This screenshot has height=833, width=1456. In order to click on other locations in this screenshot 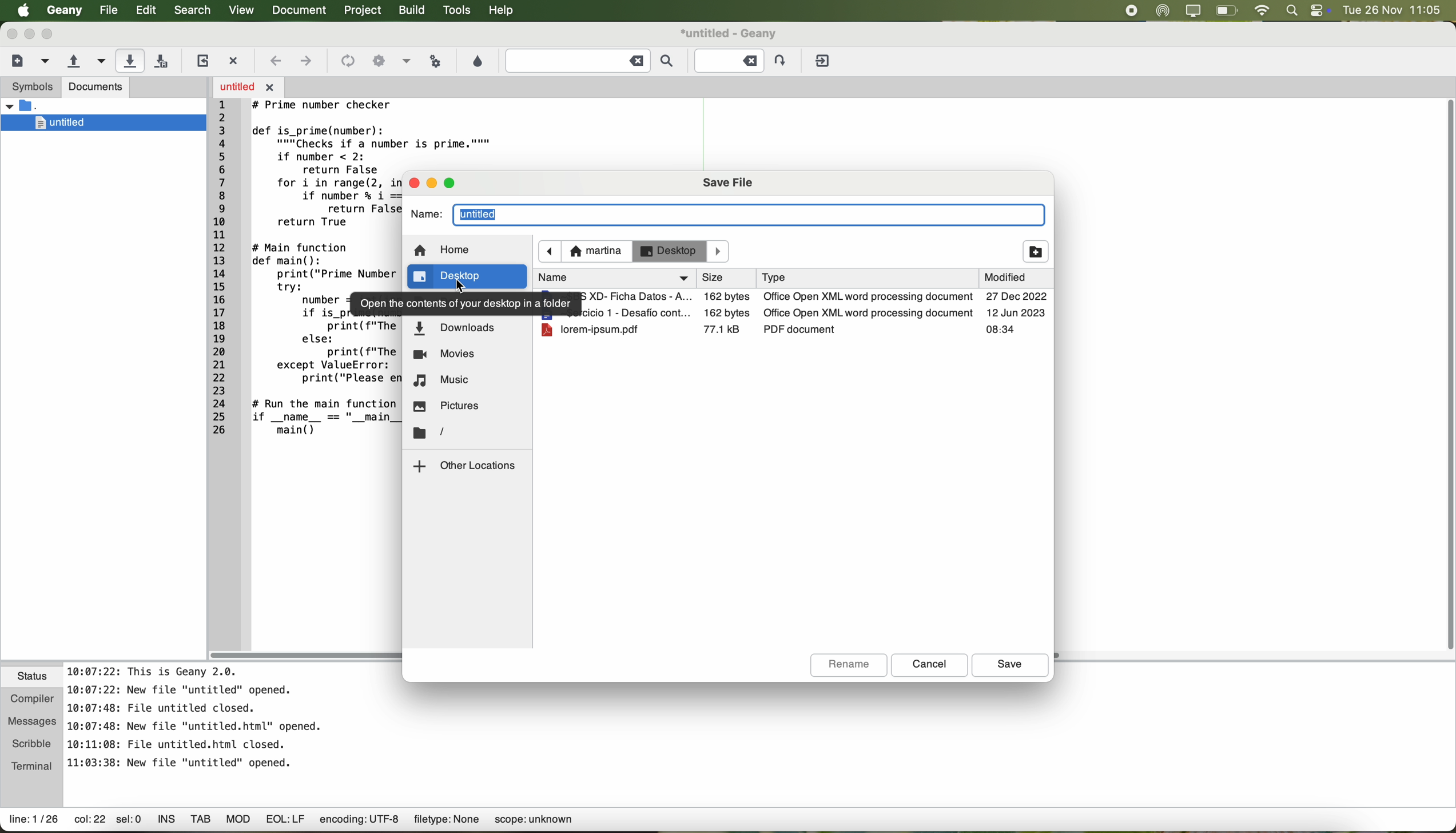, I will do `click(467, 465)`.